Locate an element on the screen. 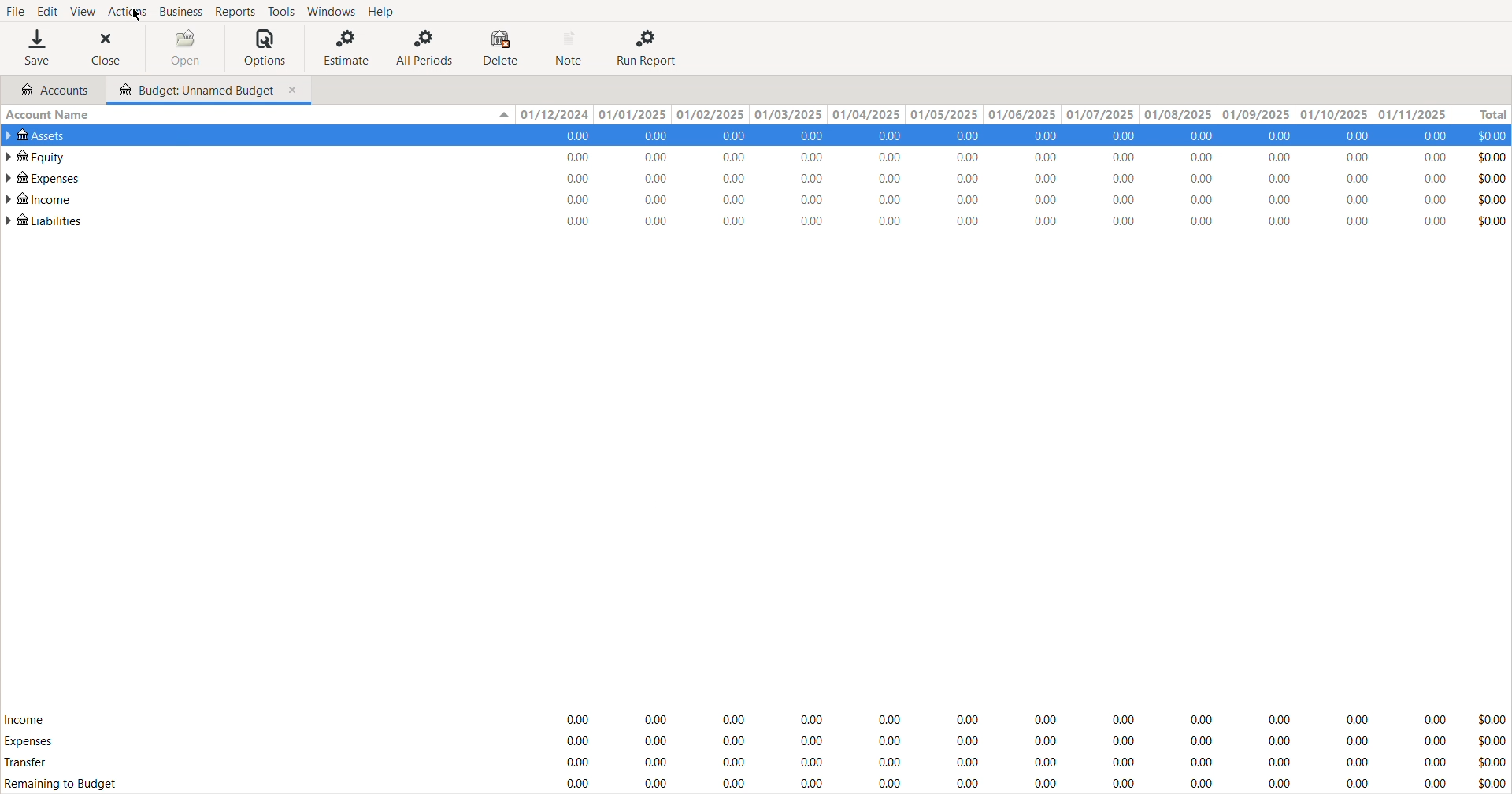 The width and height of the screenshot is (1512, 794). All Periods is located at coordinates (426, 47).